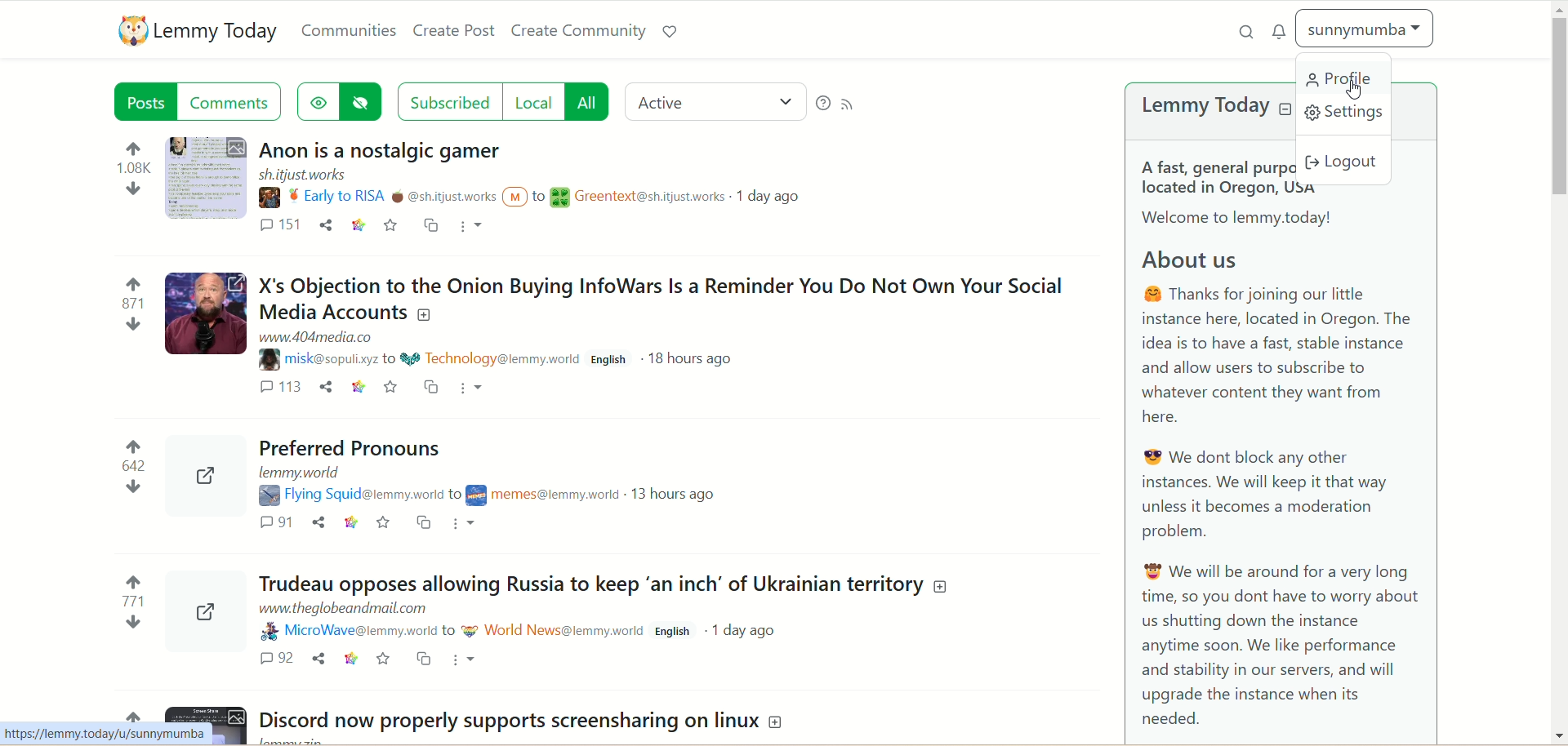  What do you see at coordinates (612, 357) in the screenshot?
I see `English` at bounding box center [612, 357].